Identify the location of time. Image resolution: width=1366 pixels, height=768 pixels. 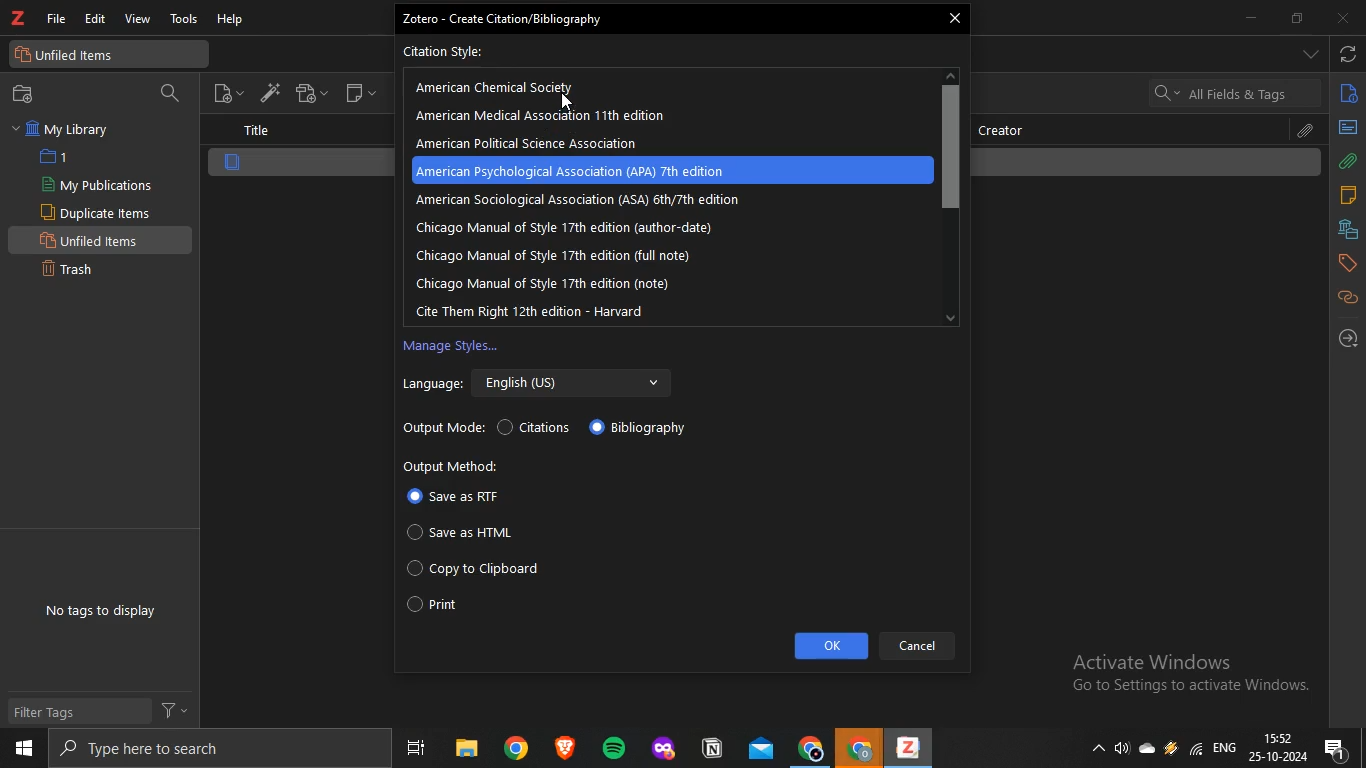
(1279, 737).